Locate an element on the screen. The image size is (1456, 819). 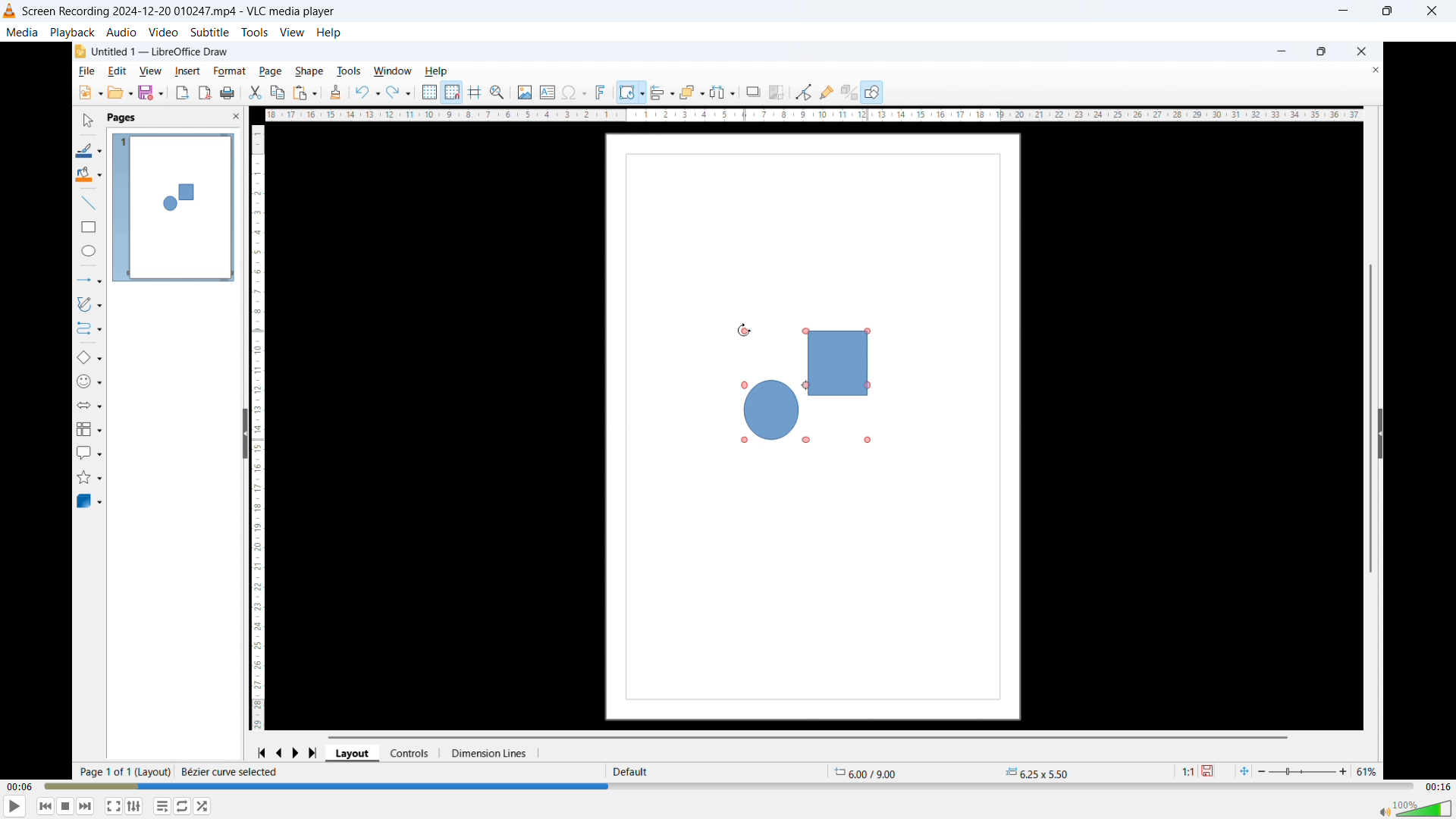
Video playback  is located at coordinates (725, 410).